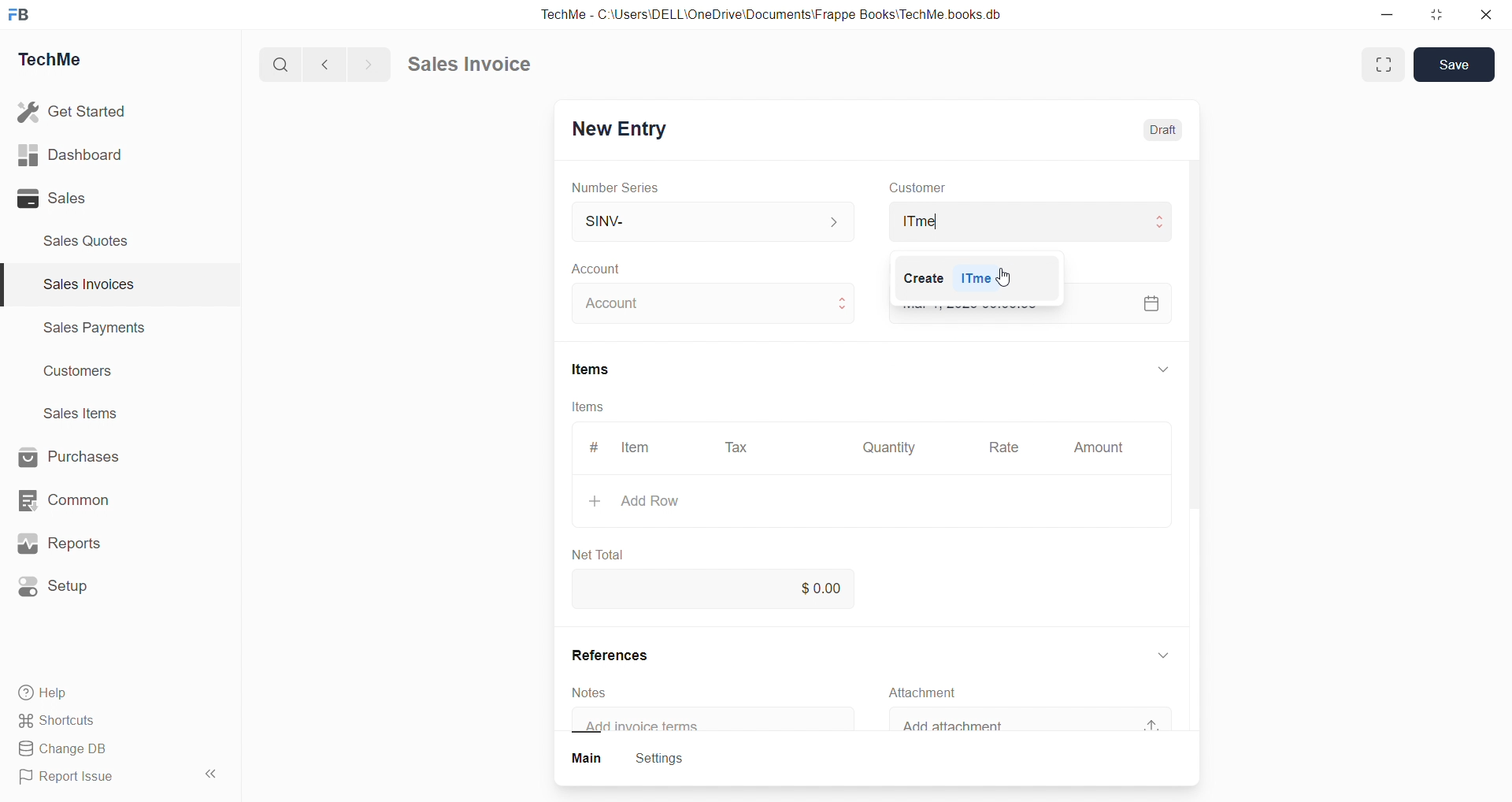  Describe the element at coordinates (87, 375) in the screenshot. I see `Customers` at that location.